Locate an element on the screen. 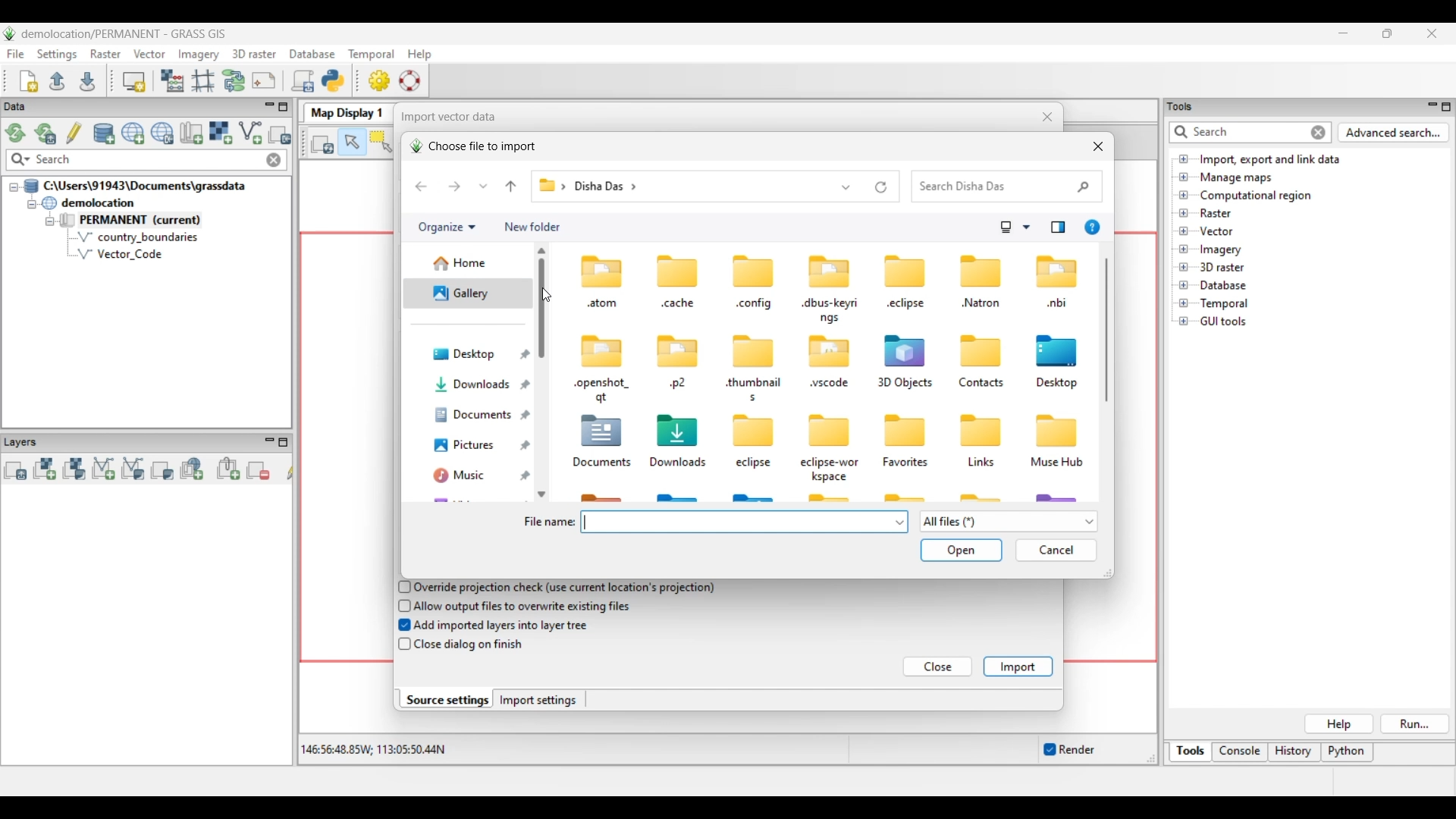 The width and height of the screenshot is (1456, 819). Open a simple python code editor is located at coordinates (333, 80).